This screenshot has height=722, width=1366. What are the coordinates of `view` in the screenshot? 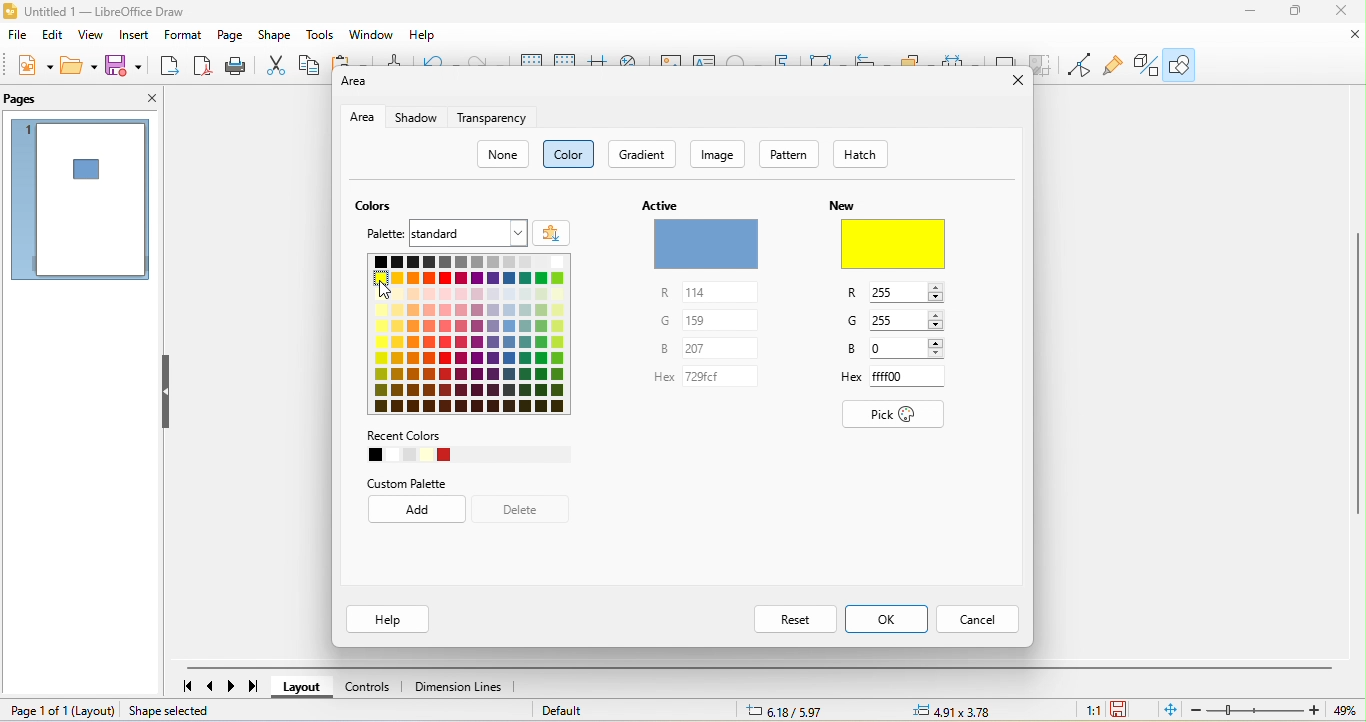 It's located at (89, 37).